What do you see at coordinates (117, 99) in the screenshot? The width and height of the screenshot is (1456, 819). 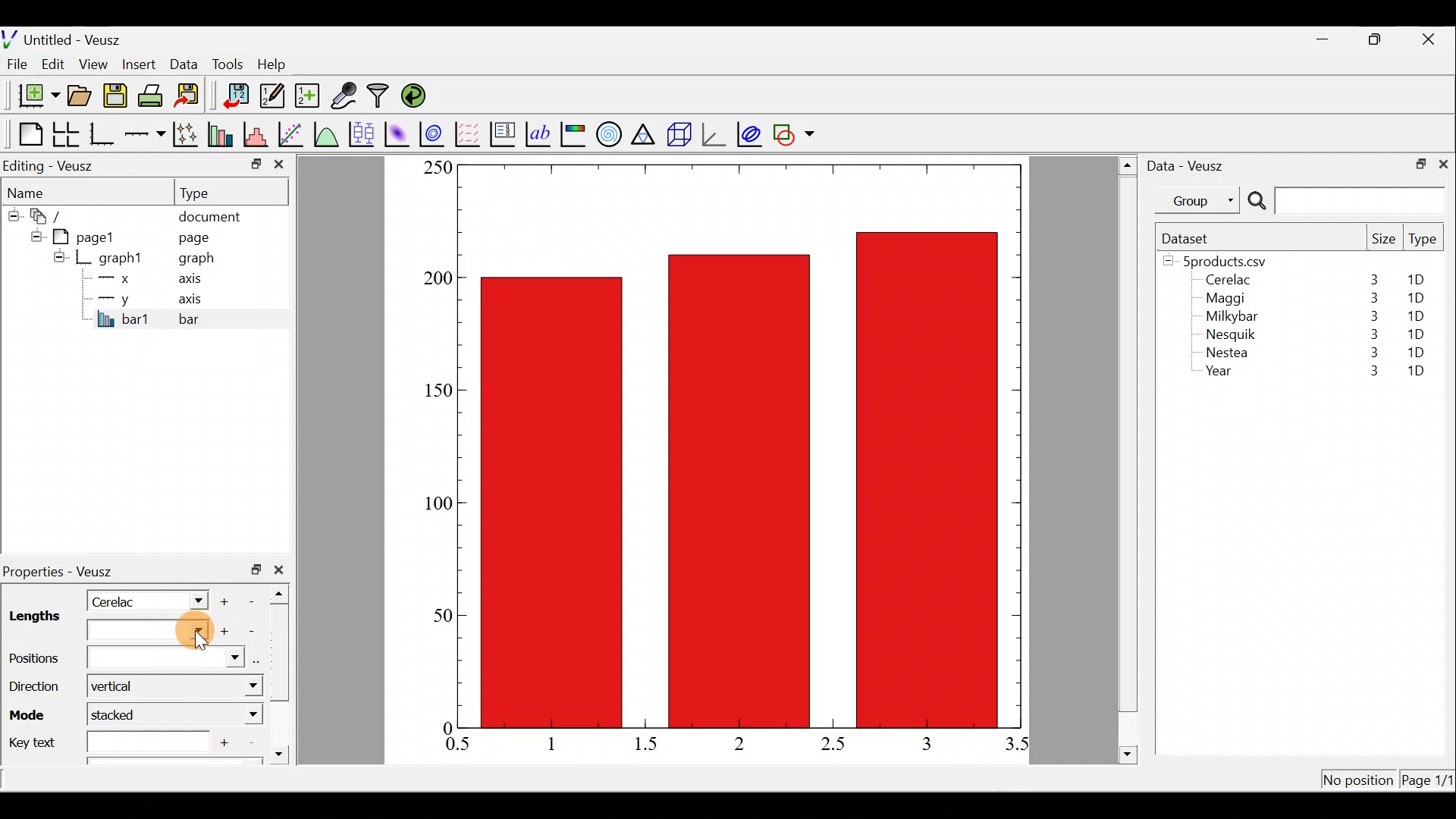 I see `Save the document` at bounding box center [117, 99].